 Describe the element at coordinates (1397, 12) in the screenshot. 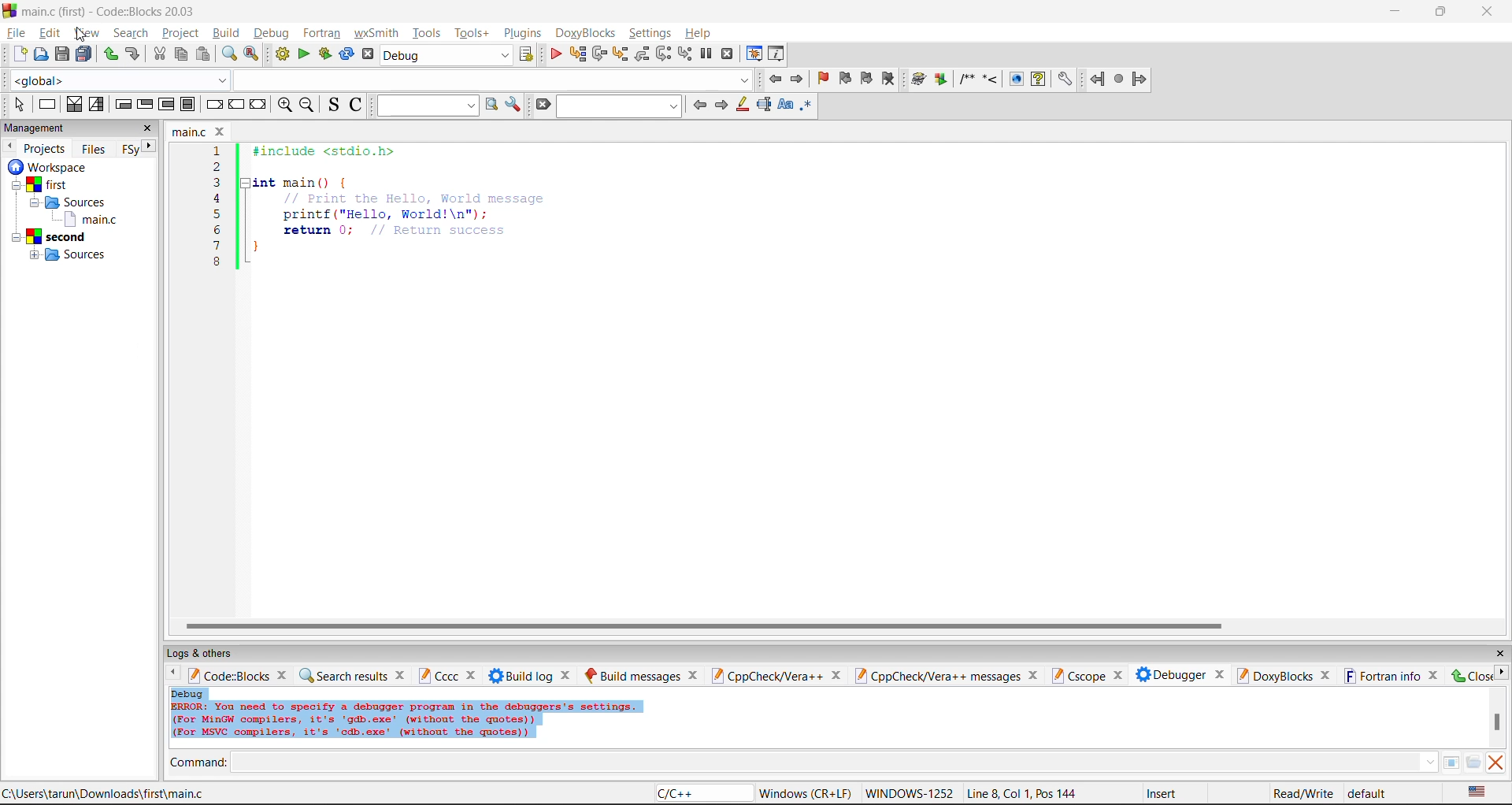

I see `minimize` at that location.